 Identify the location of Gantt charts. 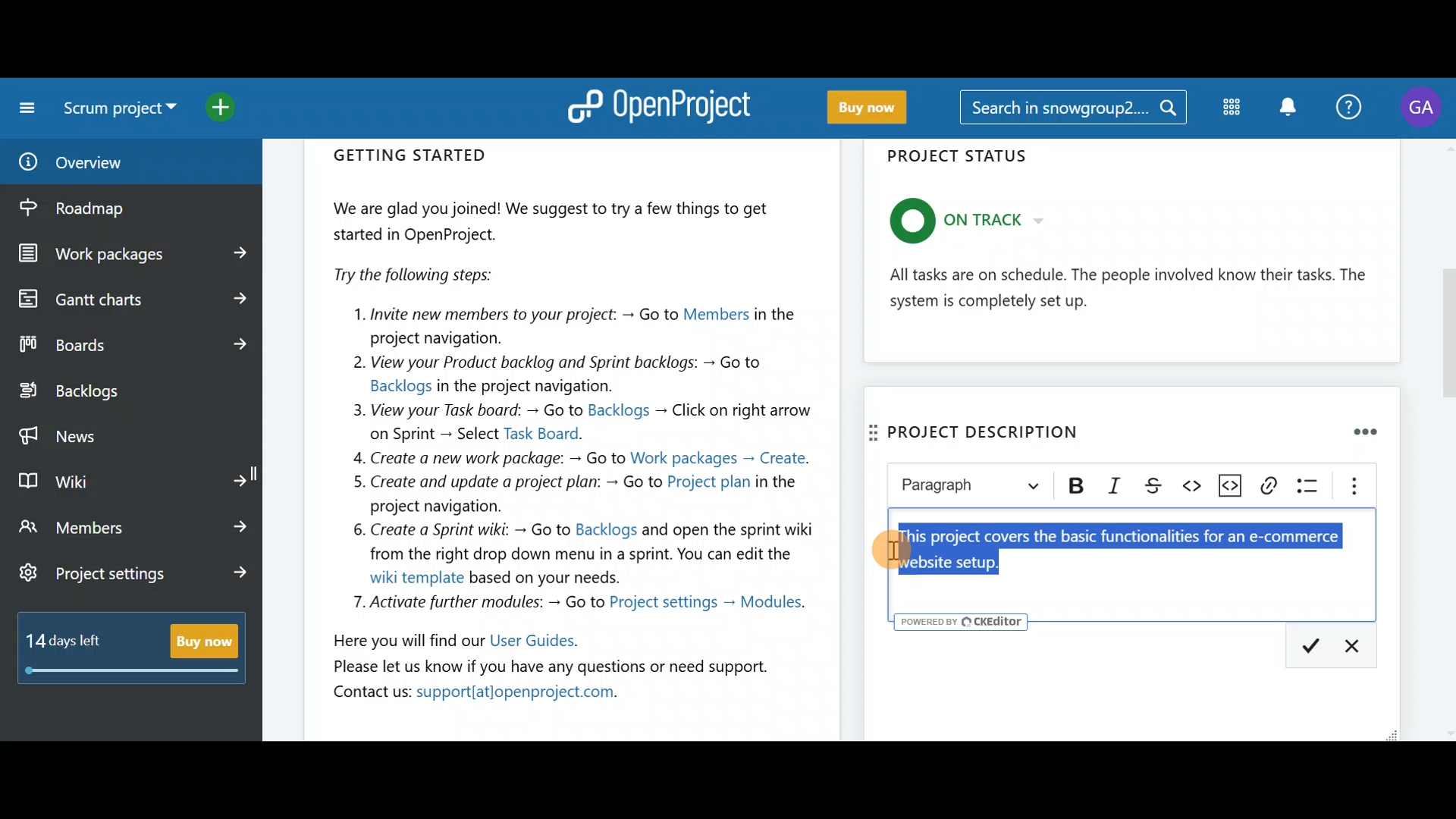
(129, 297).